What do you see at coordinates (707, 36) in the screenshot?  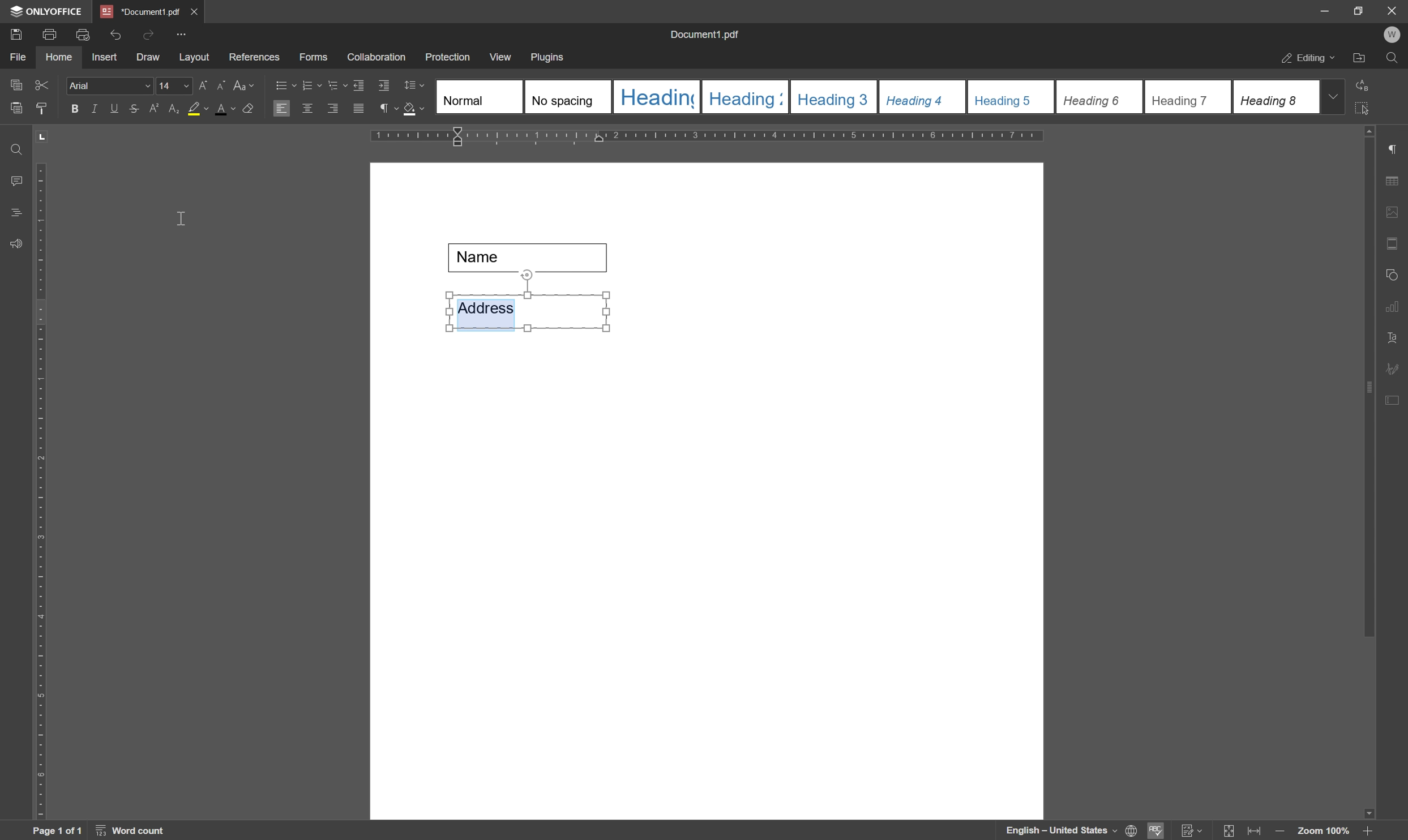 I see `document1.pdf` at bounding box center [707, 36].